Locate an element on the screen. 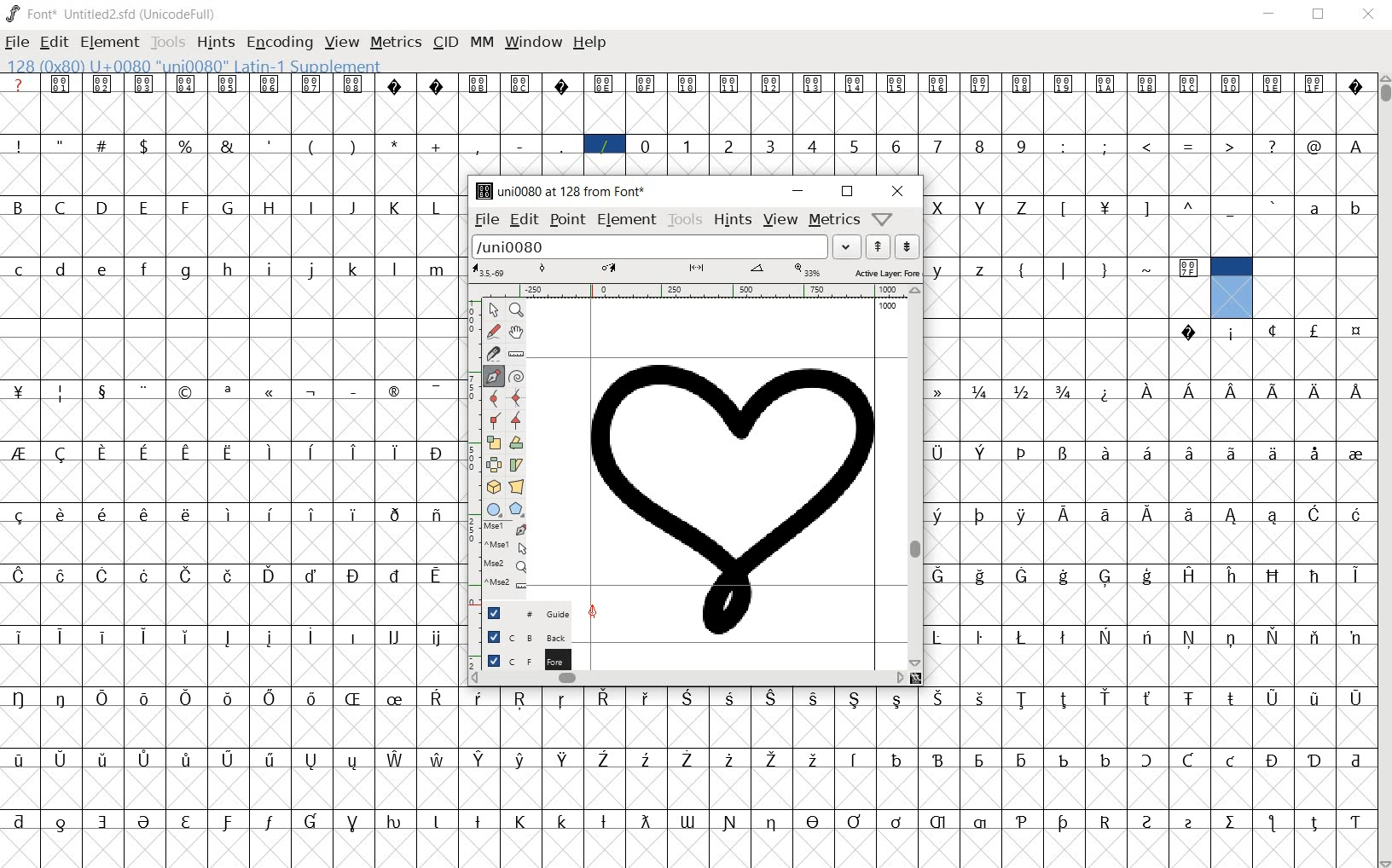  glyph is located at coordinates (270, 698).